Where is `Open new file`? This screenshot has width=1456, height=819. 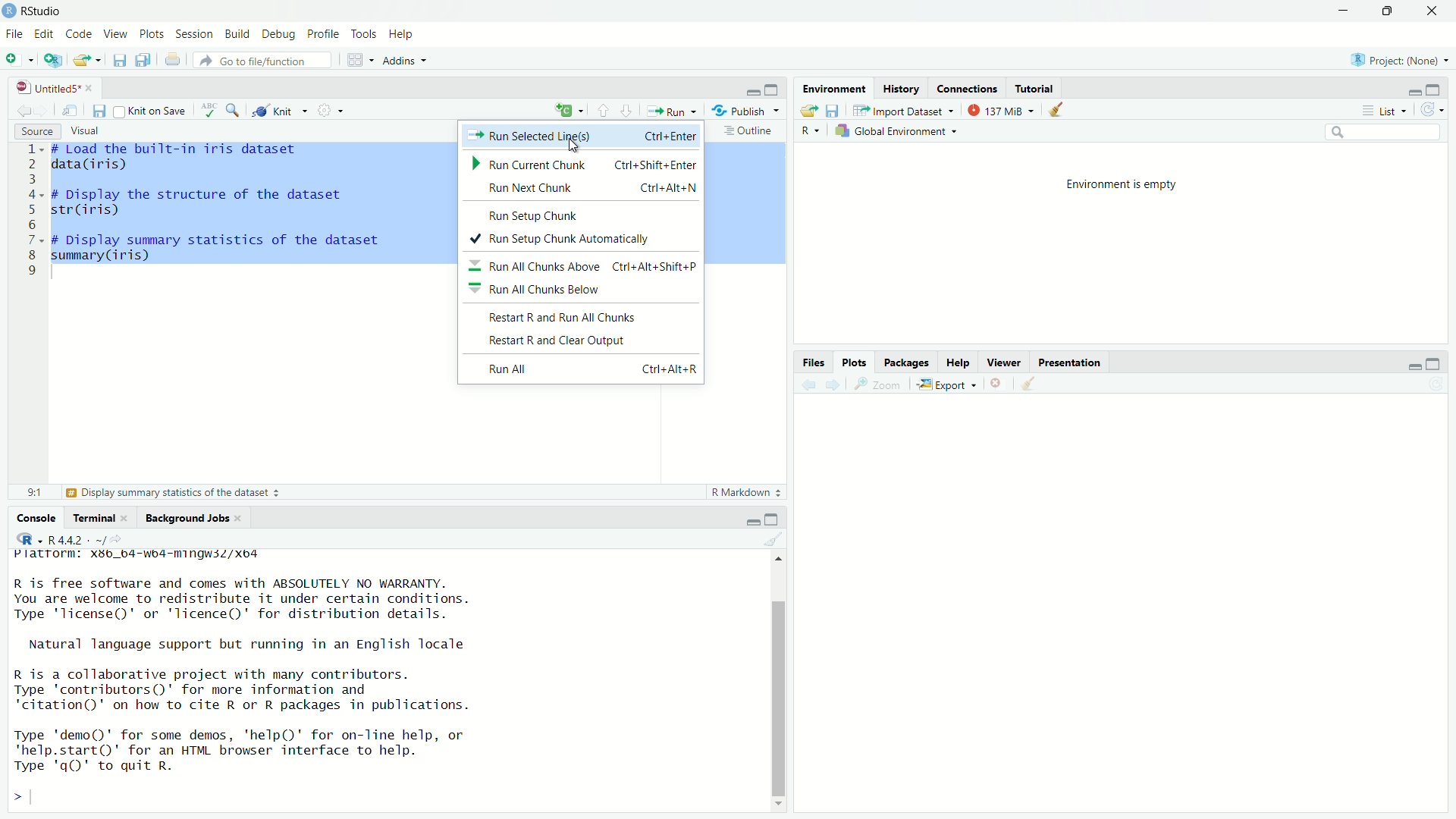 Open new file is located at coordinates (19, 59).